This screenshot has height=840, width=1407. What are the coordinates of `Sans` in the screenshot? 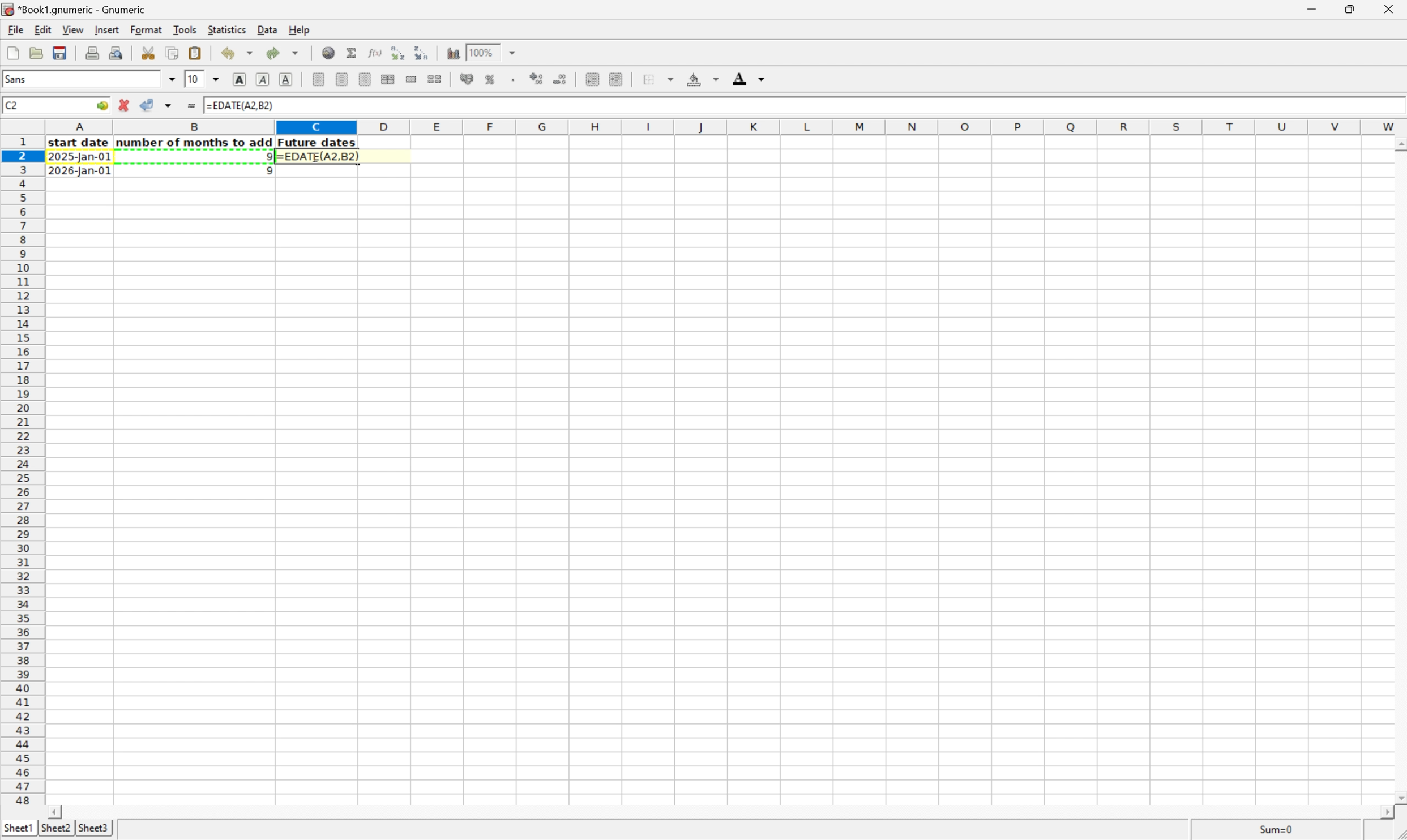 It's located at (22, 79).